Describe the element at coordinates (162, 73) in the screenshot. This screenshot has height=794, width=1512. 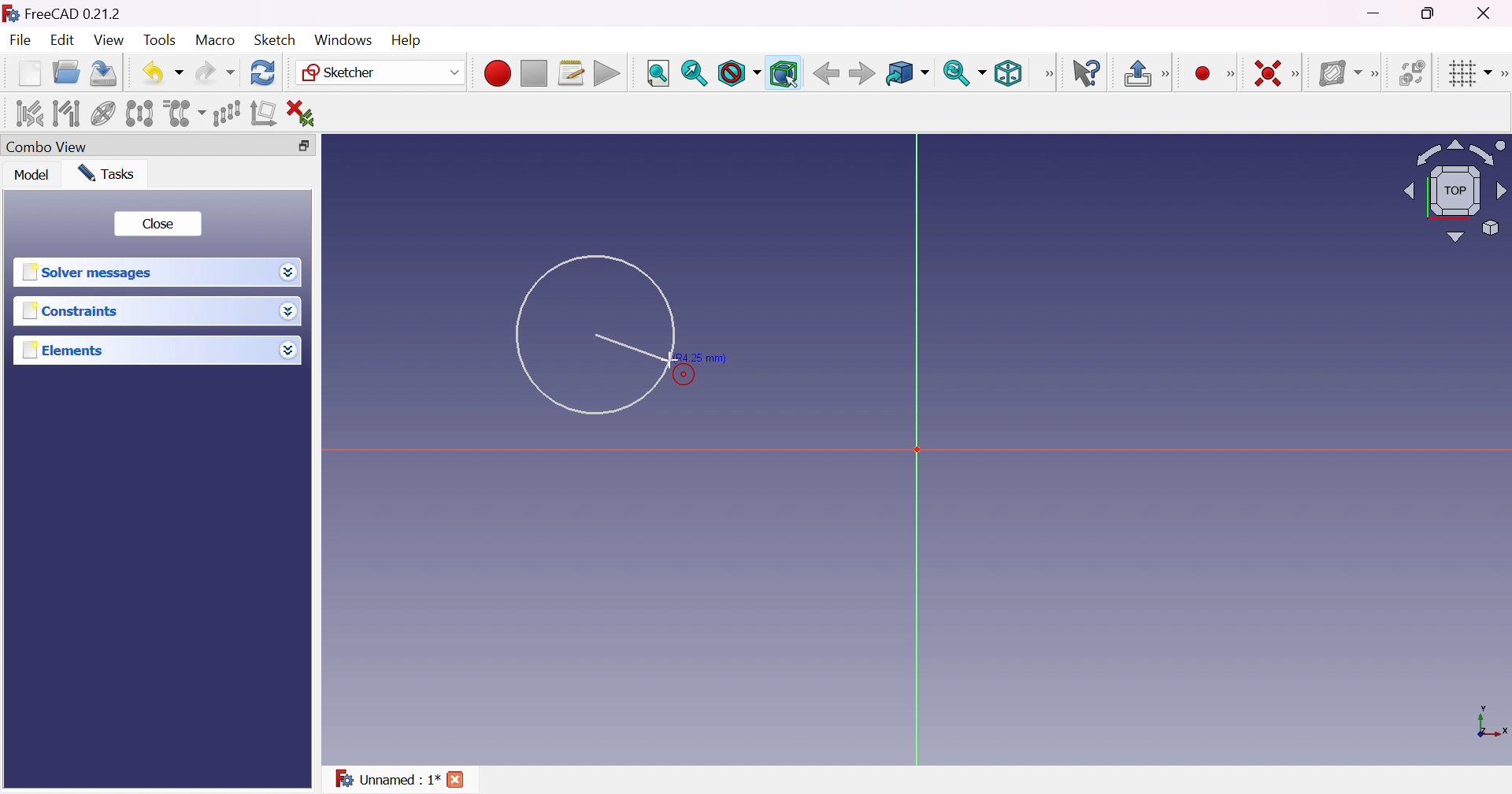
I see `Undo` at that location.